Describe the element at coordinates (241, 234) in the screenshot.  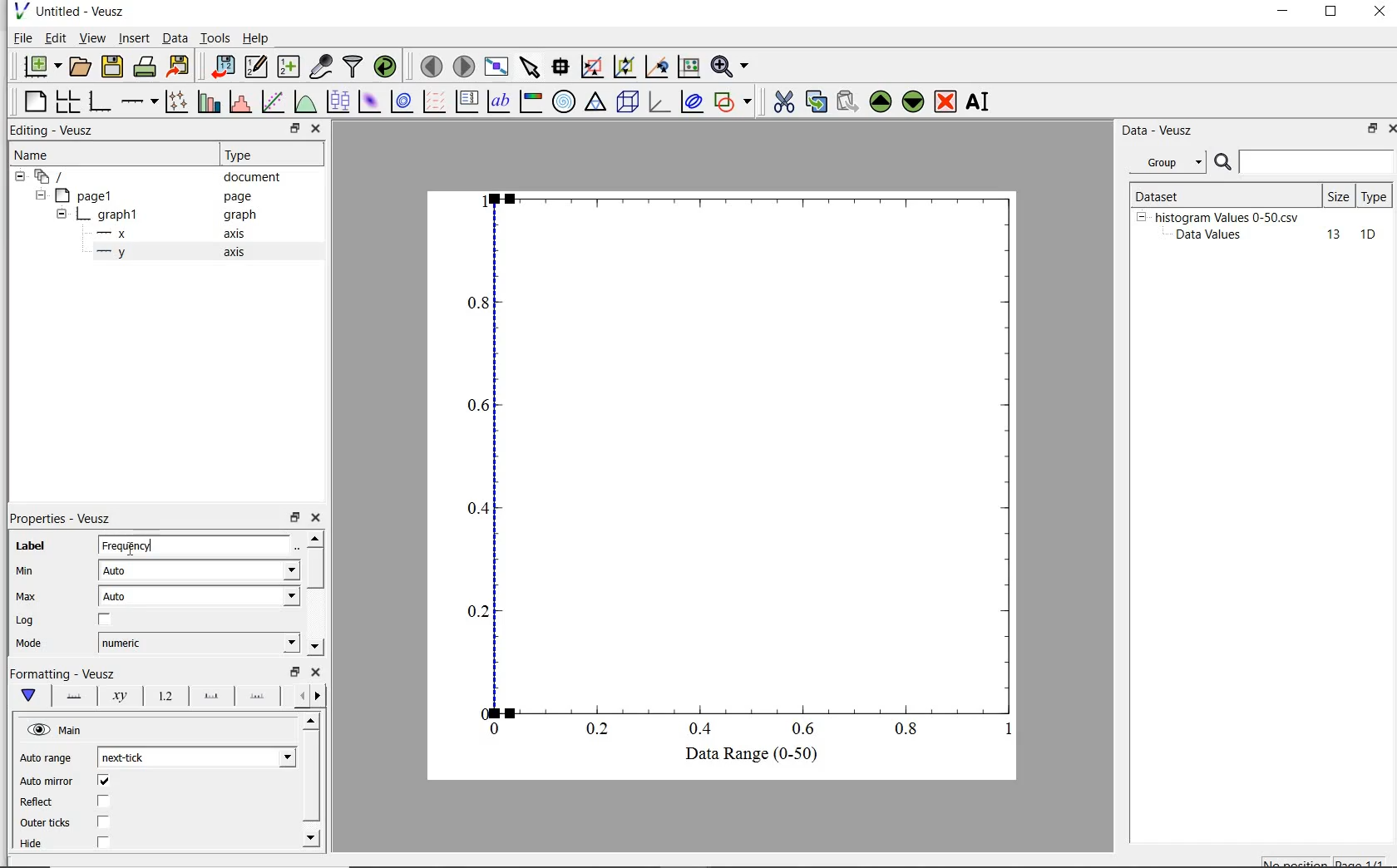
I see `axis` at that location.